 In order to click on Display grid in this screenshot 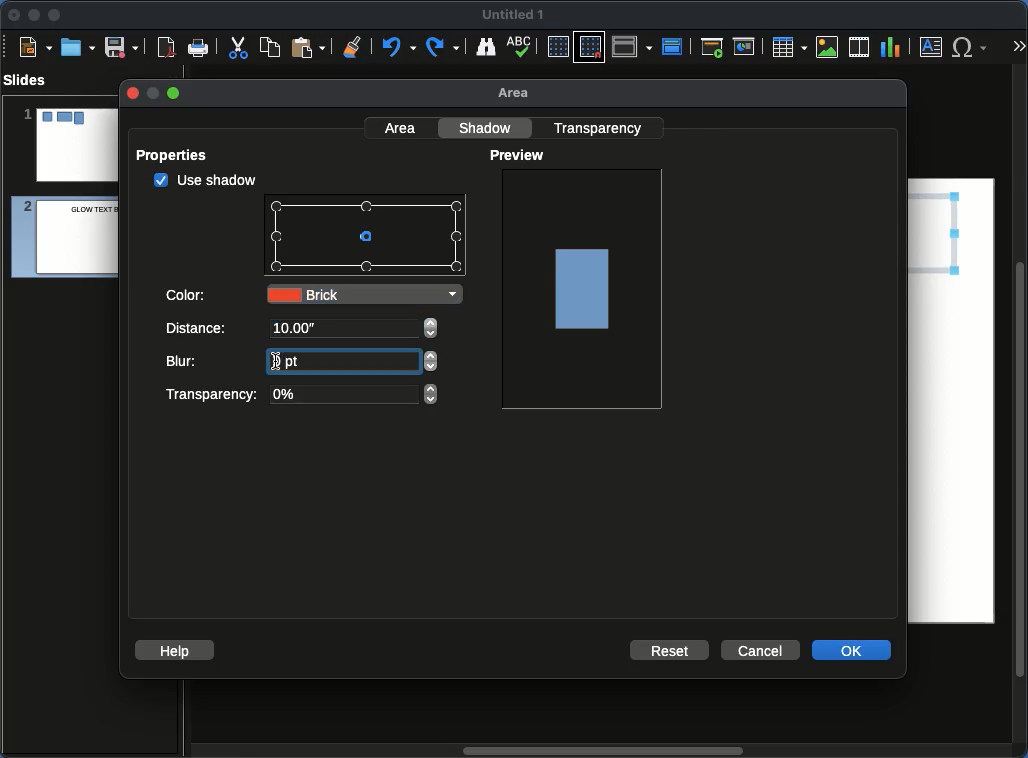, I will do `click(557, 48)`.